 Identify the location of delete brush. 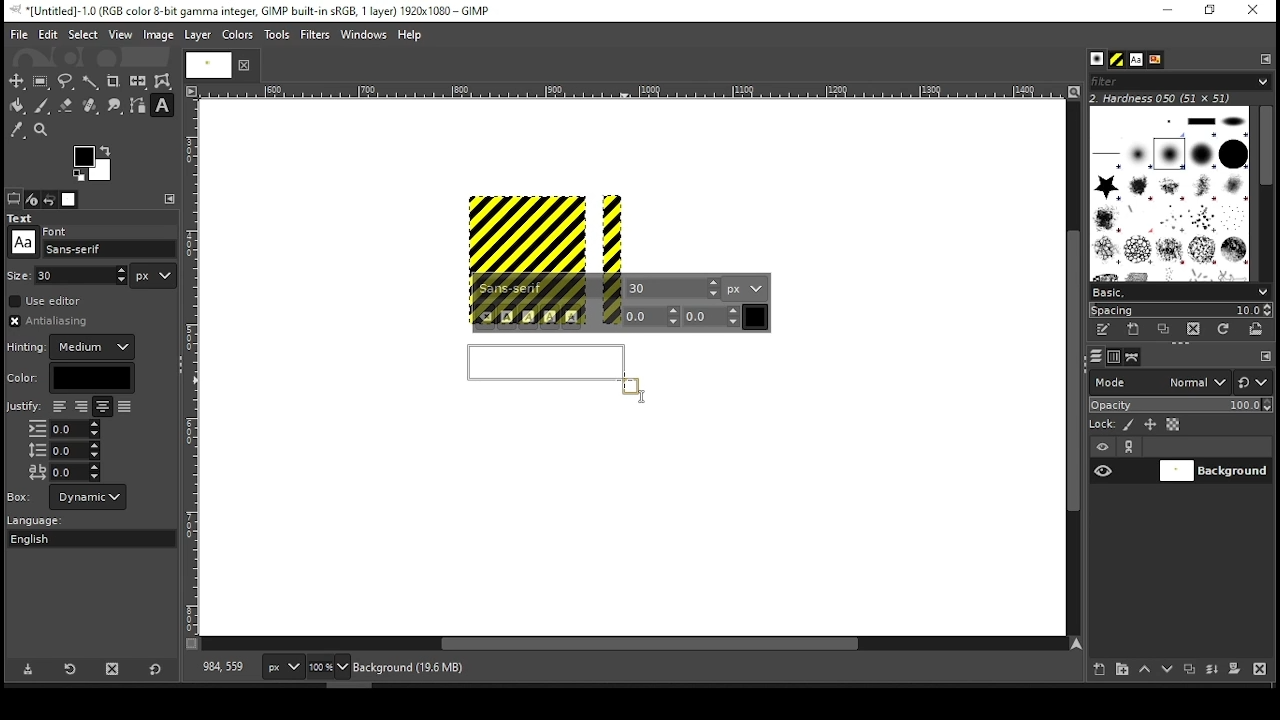
(1196, 330).